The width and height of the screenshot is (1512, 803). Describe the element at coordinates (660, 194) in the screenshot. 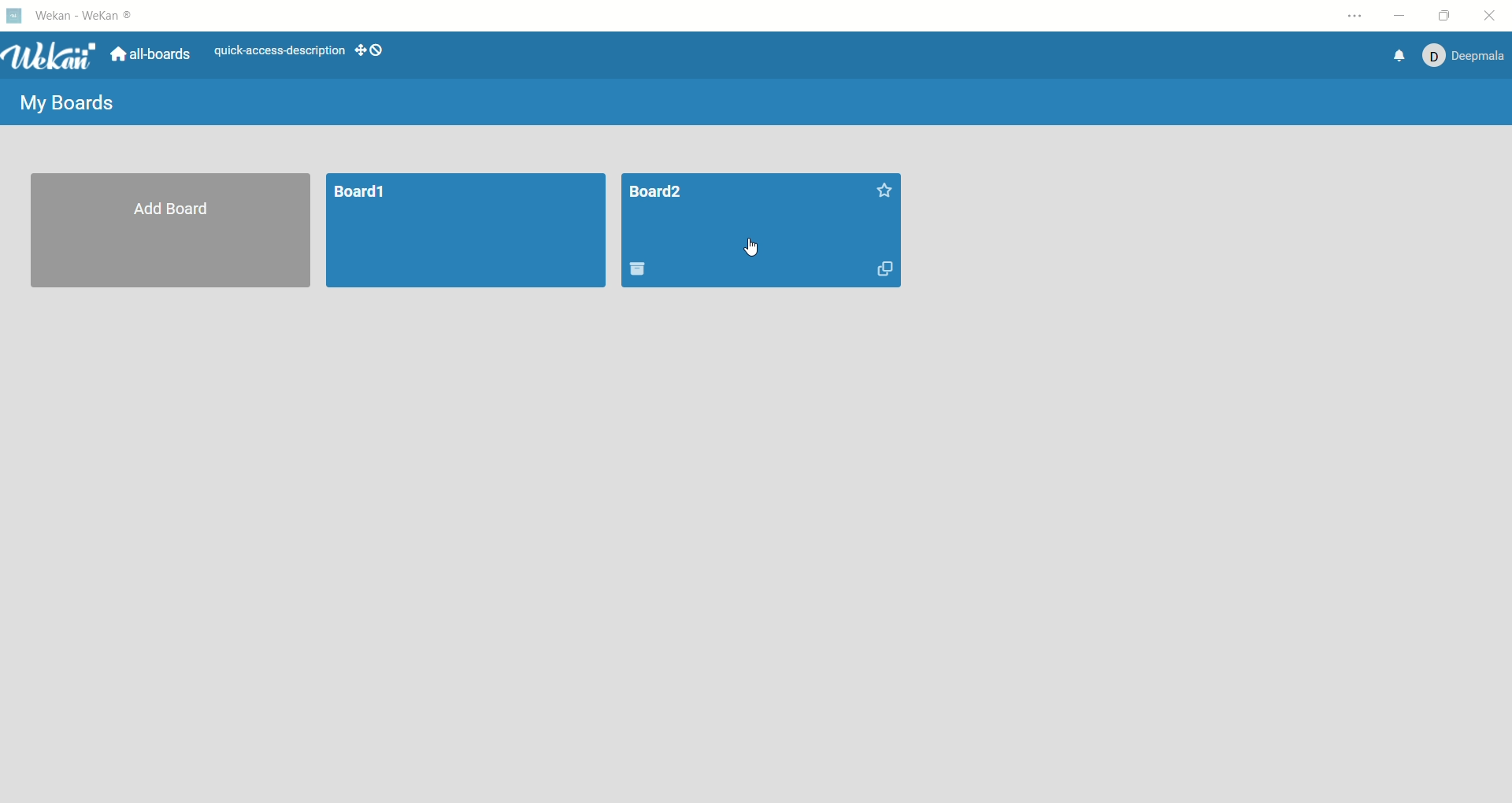

I see `title` at that location.